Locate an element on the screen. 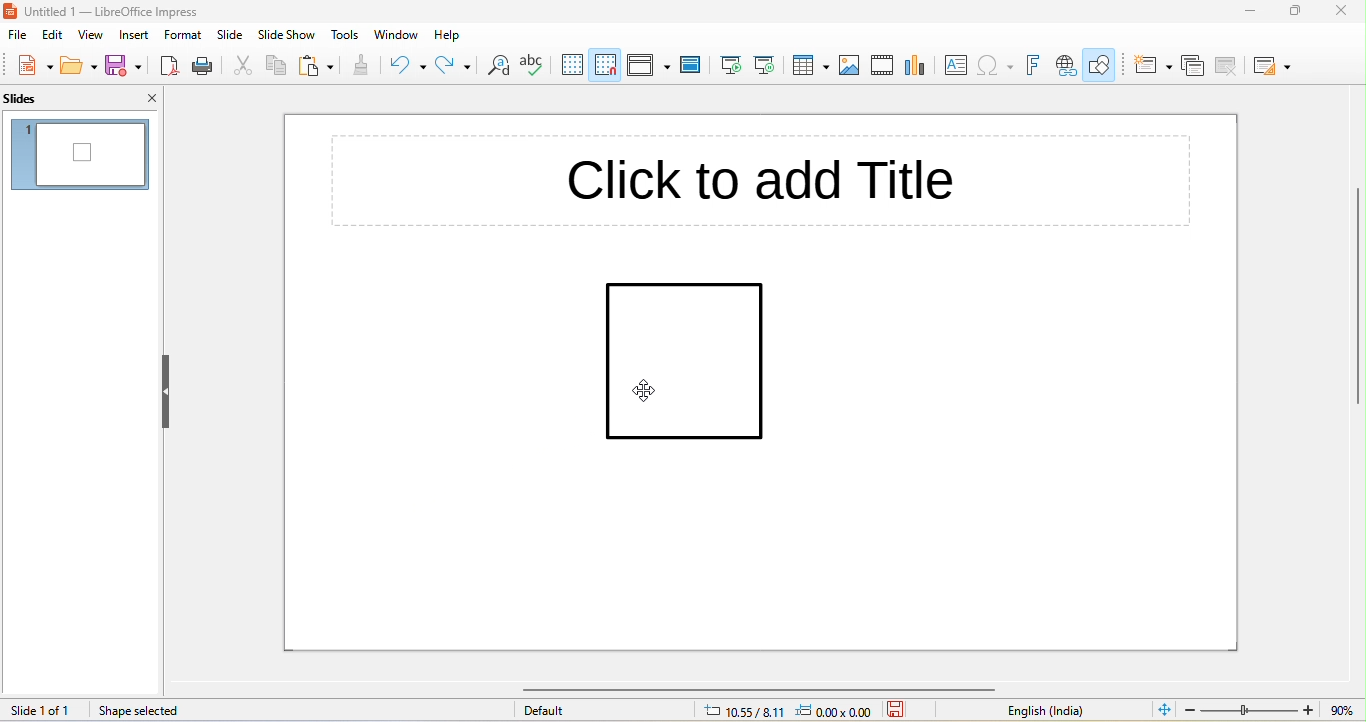 This screenshot has width=1366, height=722. shape is located at coordinates (680, 362).